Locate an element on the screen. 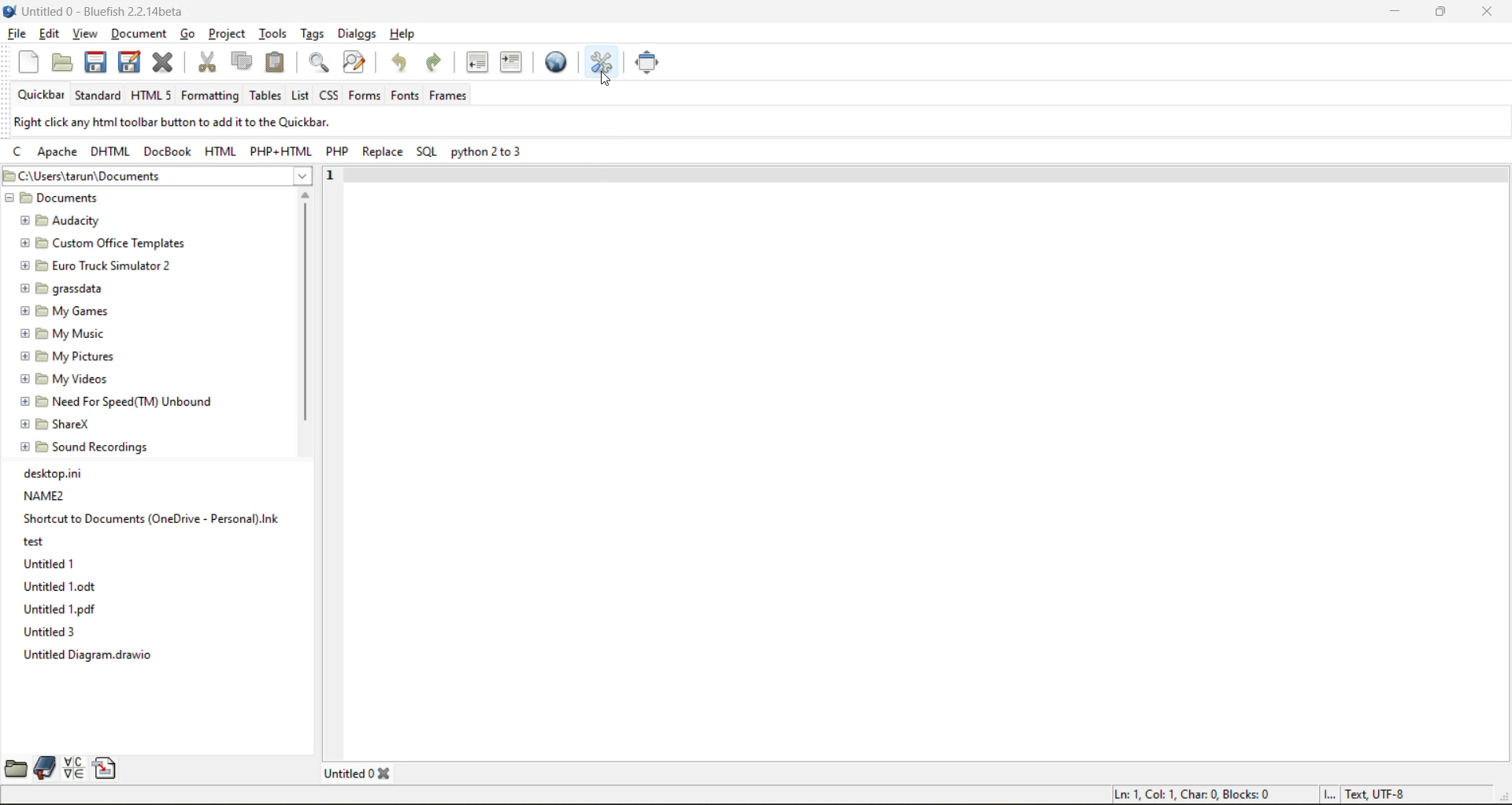 Image resolution: width=1512 pixels, height=805 pixels. html 5 is located at coordinates (152, 96).